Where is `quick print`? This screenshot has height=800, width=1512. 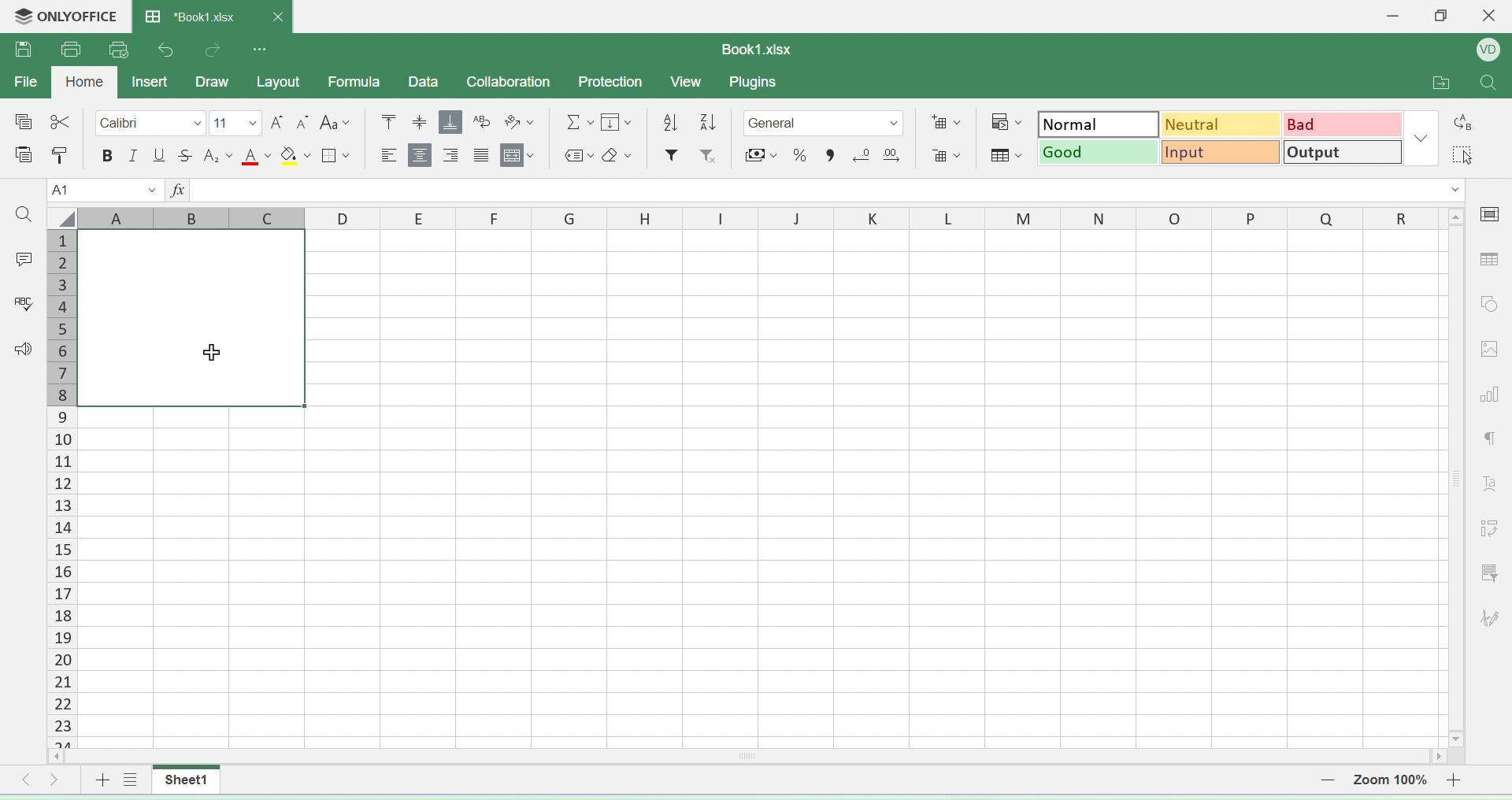
quick print is located at coordinates (123, 49).